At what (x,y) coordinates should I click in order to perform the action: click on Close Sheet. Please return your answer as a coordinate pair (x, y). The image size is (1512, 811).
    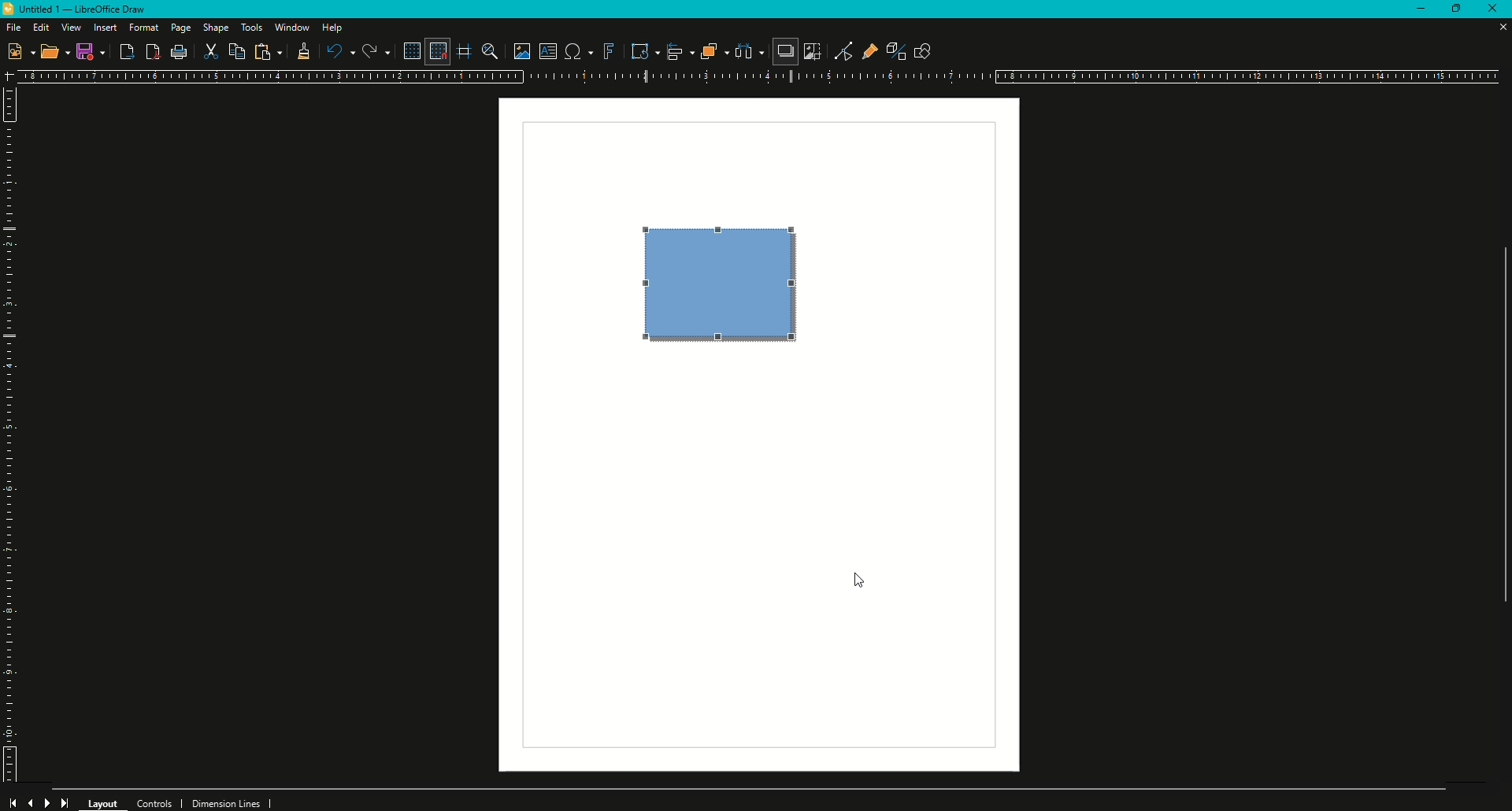
    Looking at the image, I should click on (1500, 28).